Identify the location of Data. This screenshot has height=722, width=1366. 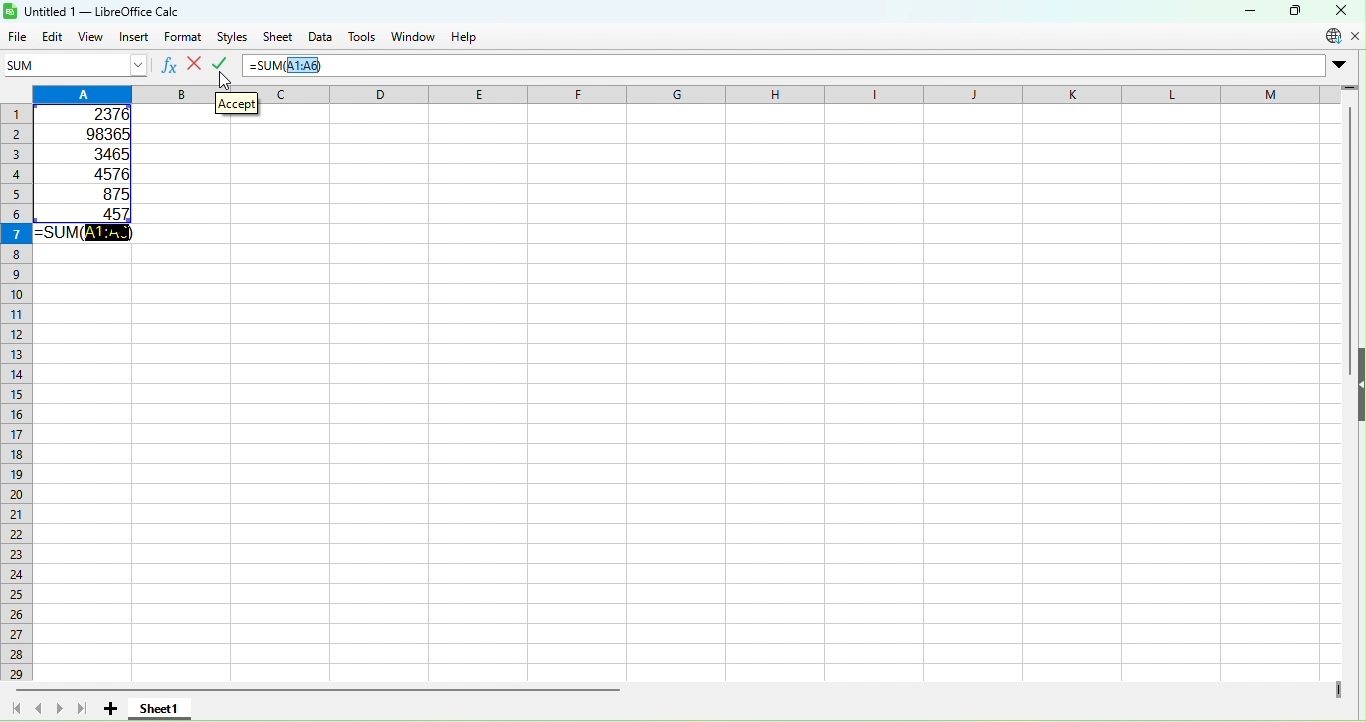
(318, 37).